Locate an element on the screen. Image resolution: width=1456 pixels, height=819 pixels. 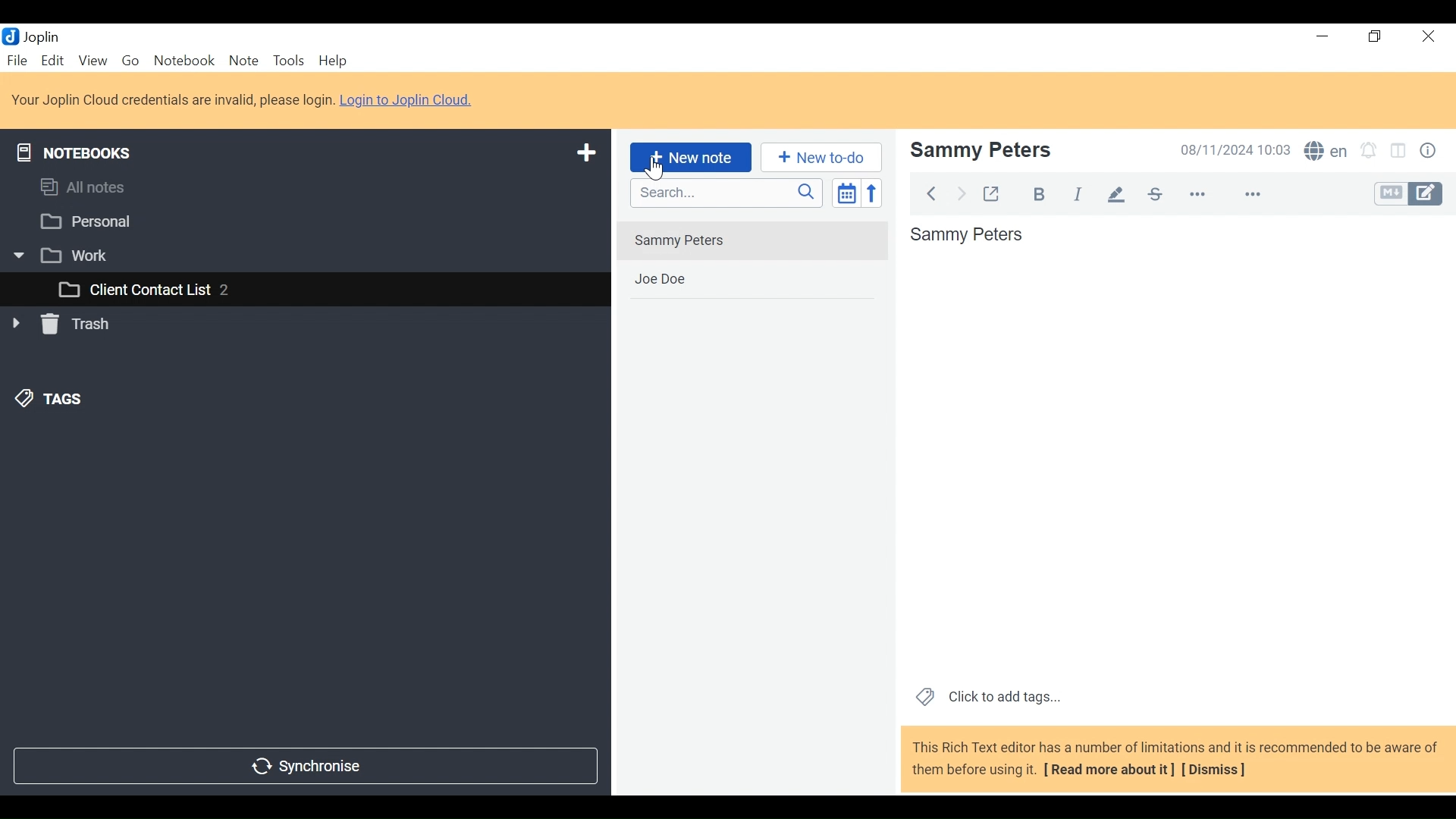
Toggle sort order field is located at coordinates (846, 192).